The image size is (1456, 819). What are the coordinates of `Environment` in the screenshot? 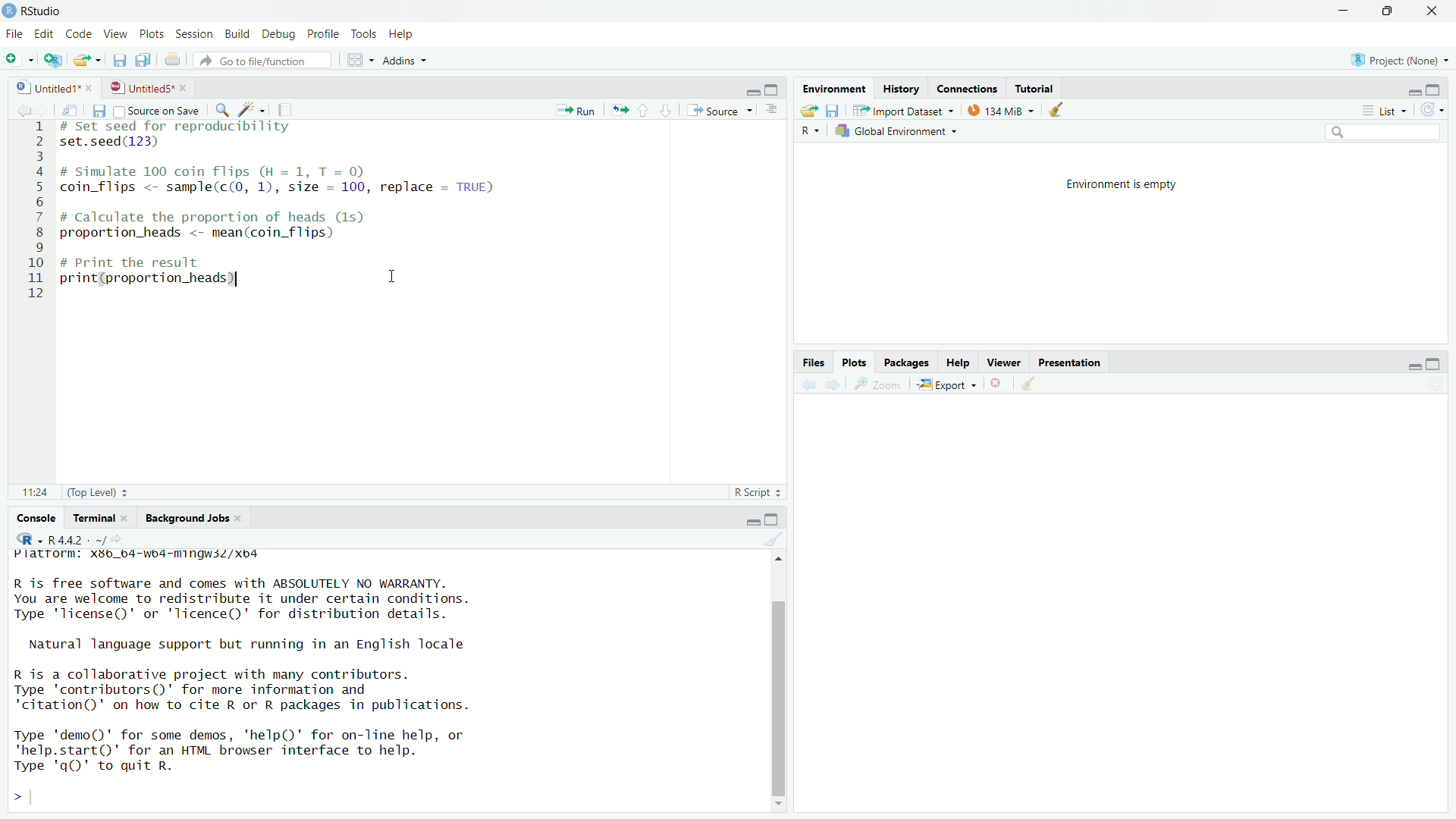 It's located at (835, 89).